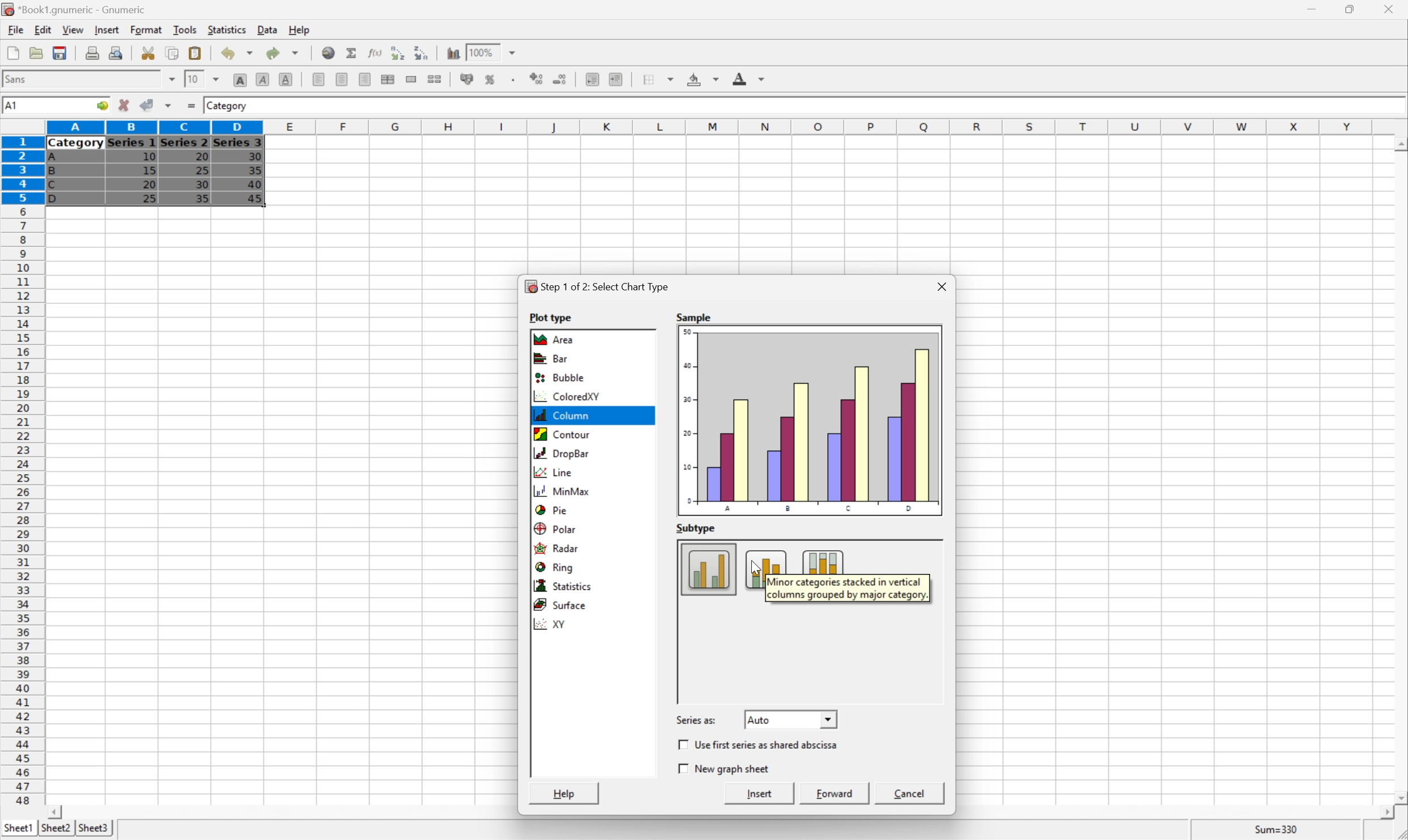 Image resolution: width=1408 pixels, height=840 pixels. Describe the element at coordinates (558, 549) in the screenshot. I see `Radar` at that location.